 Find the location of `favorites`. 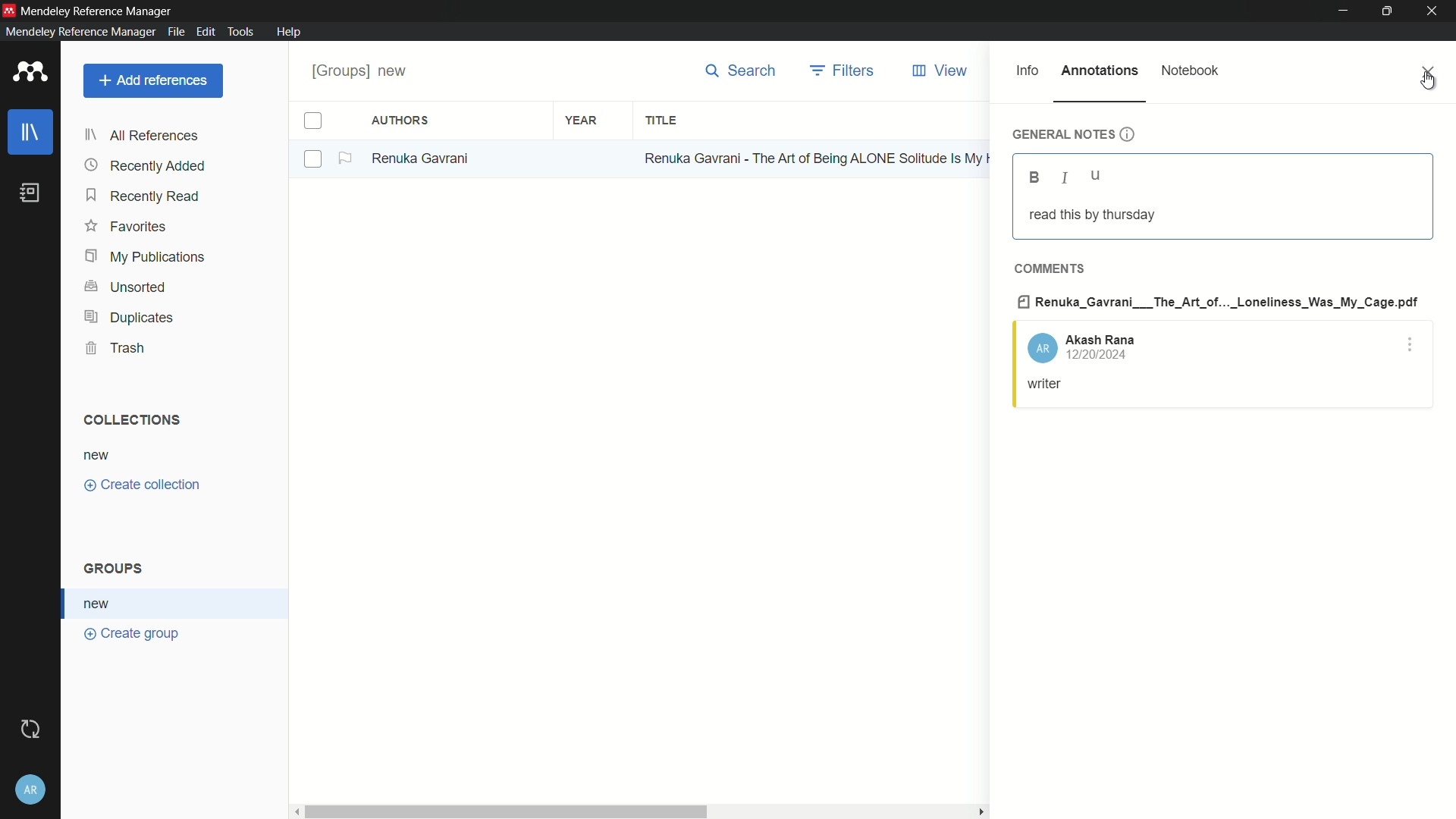

favorites is located at coordinates (127, 228).